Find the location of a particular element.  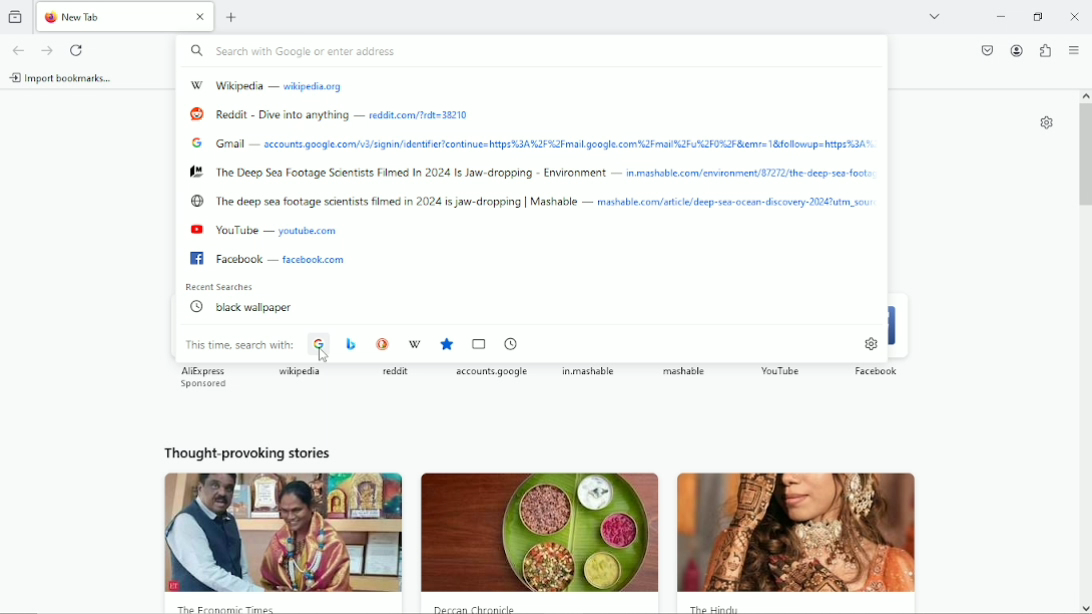

save to pocket is located at coordinates (988, 50).